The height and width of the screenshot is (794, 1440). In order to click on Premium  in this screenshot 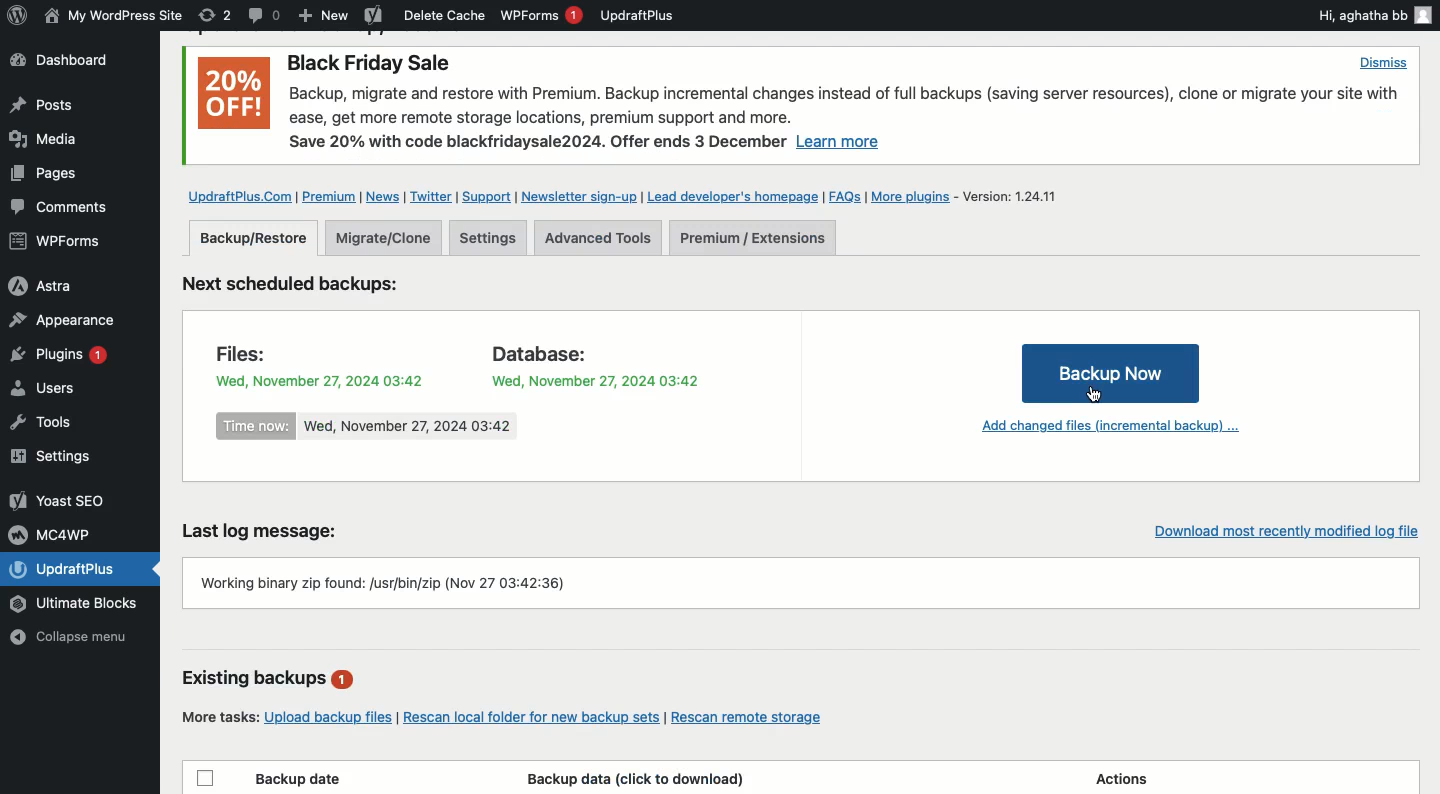, I will do `click(333, 197)`.